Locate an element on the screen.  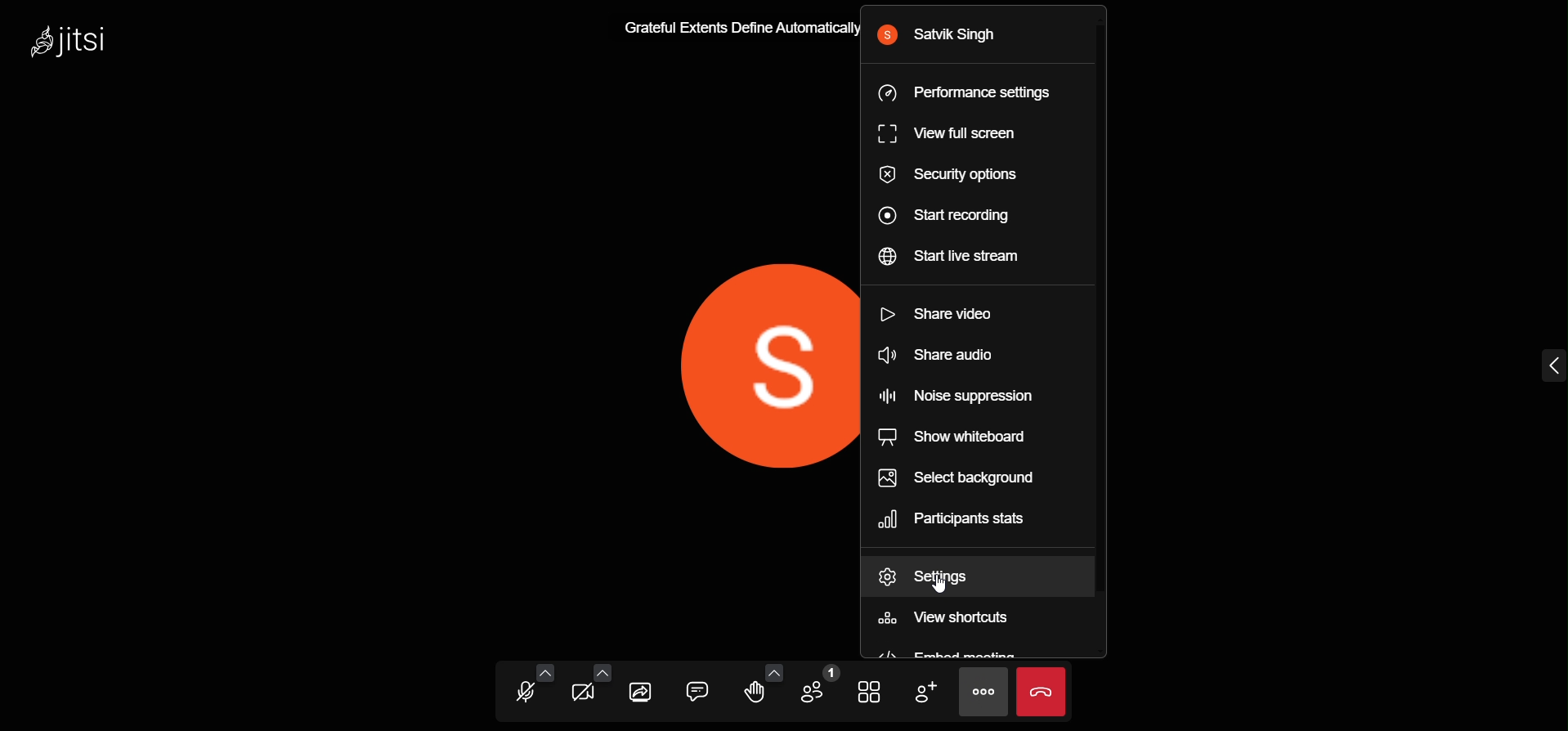
settings is located at coordinates (943, 575).